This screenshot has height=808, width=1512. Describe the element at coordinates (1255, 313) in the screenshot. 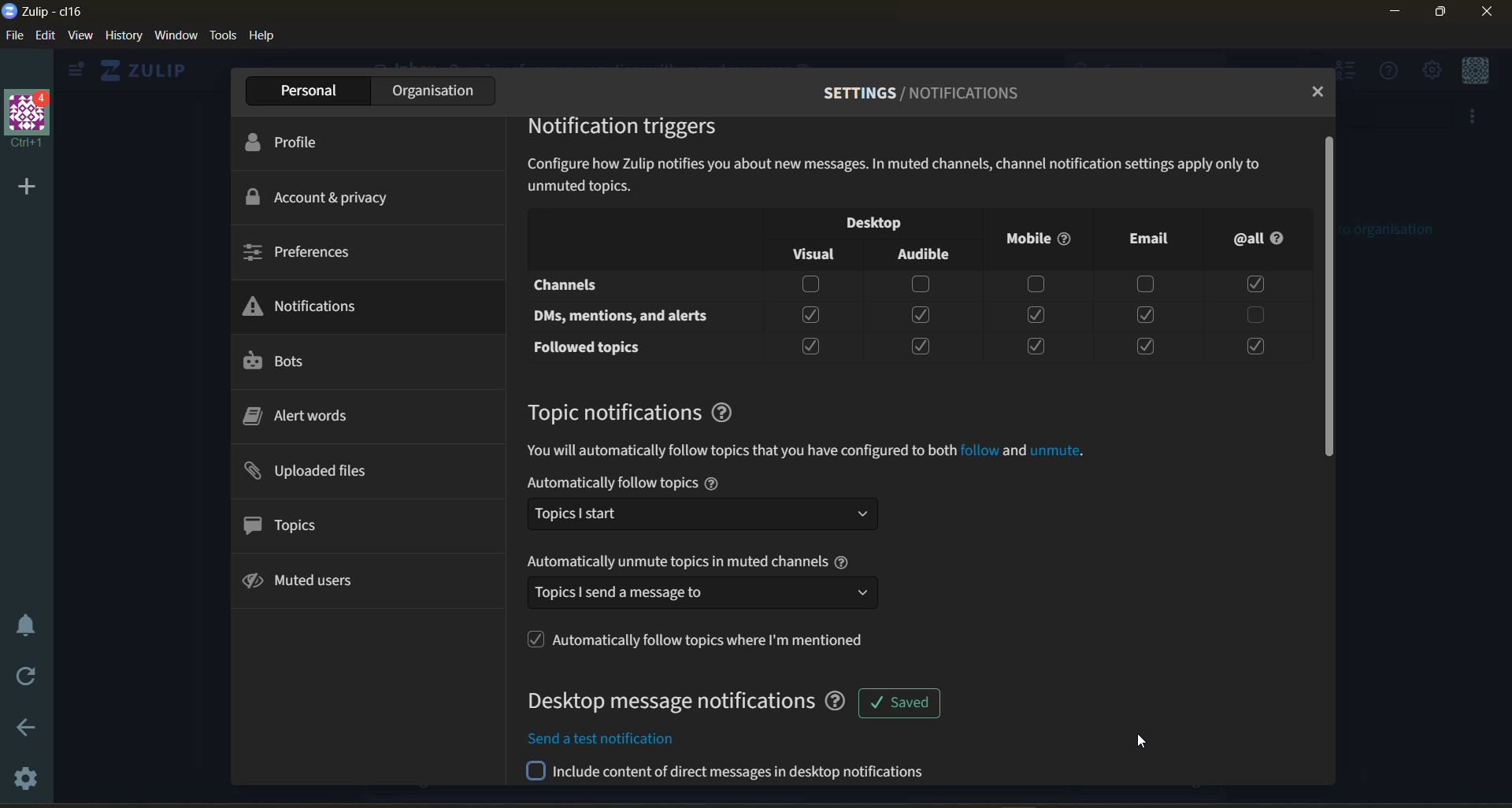

I see `Checkbox` at that location.